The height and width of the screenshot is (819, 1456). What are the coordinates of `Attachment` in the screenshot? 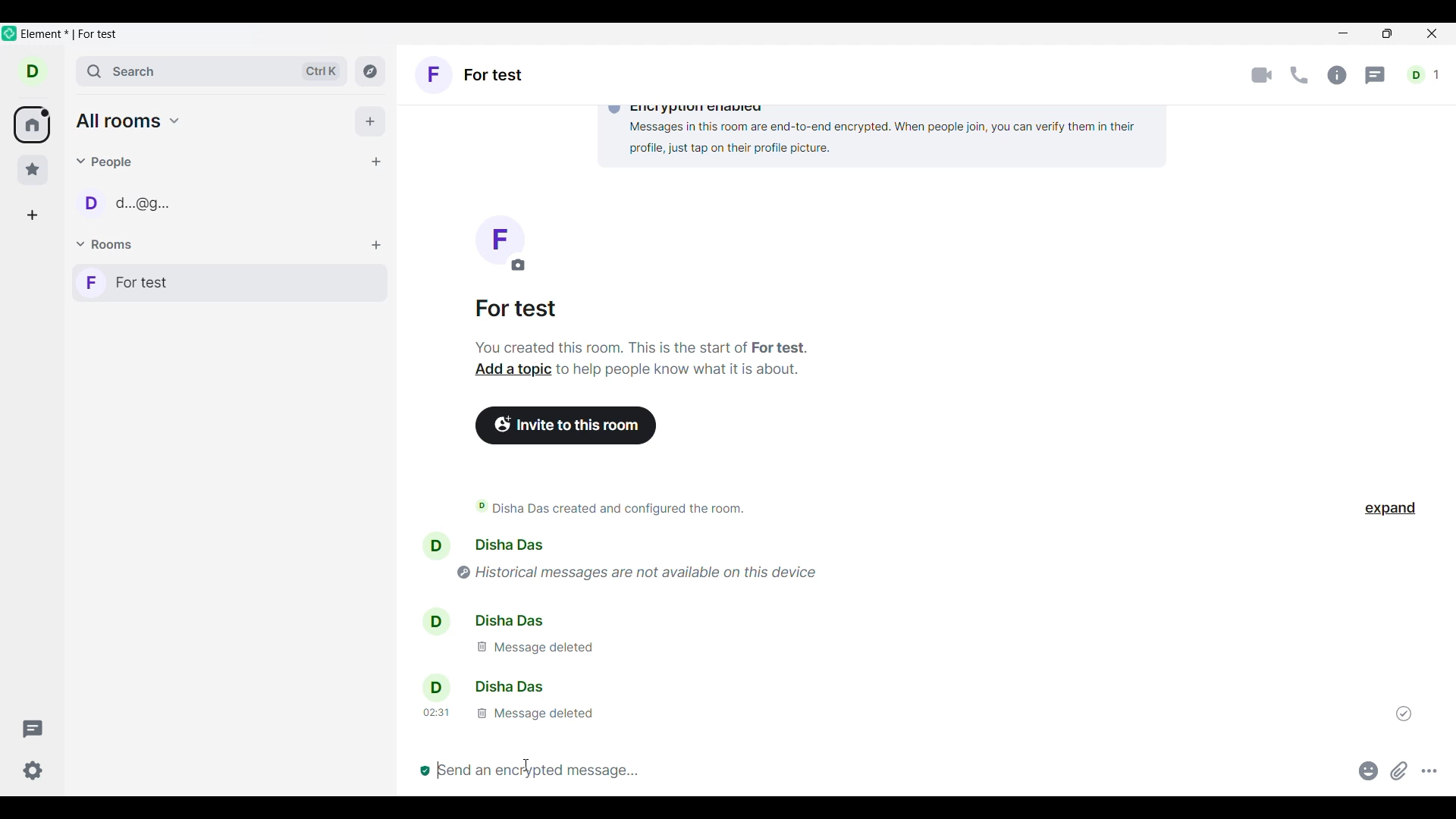 It's located at (1399, 770).